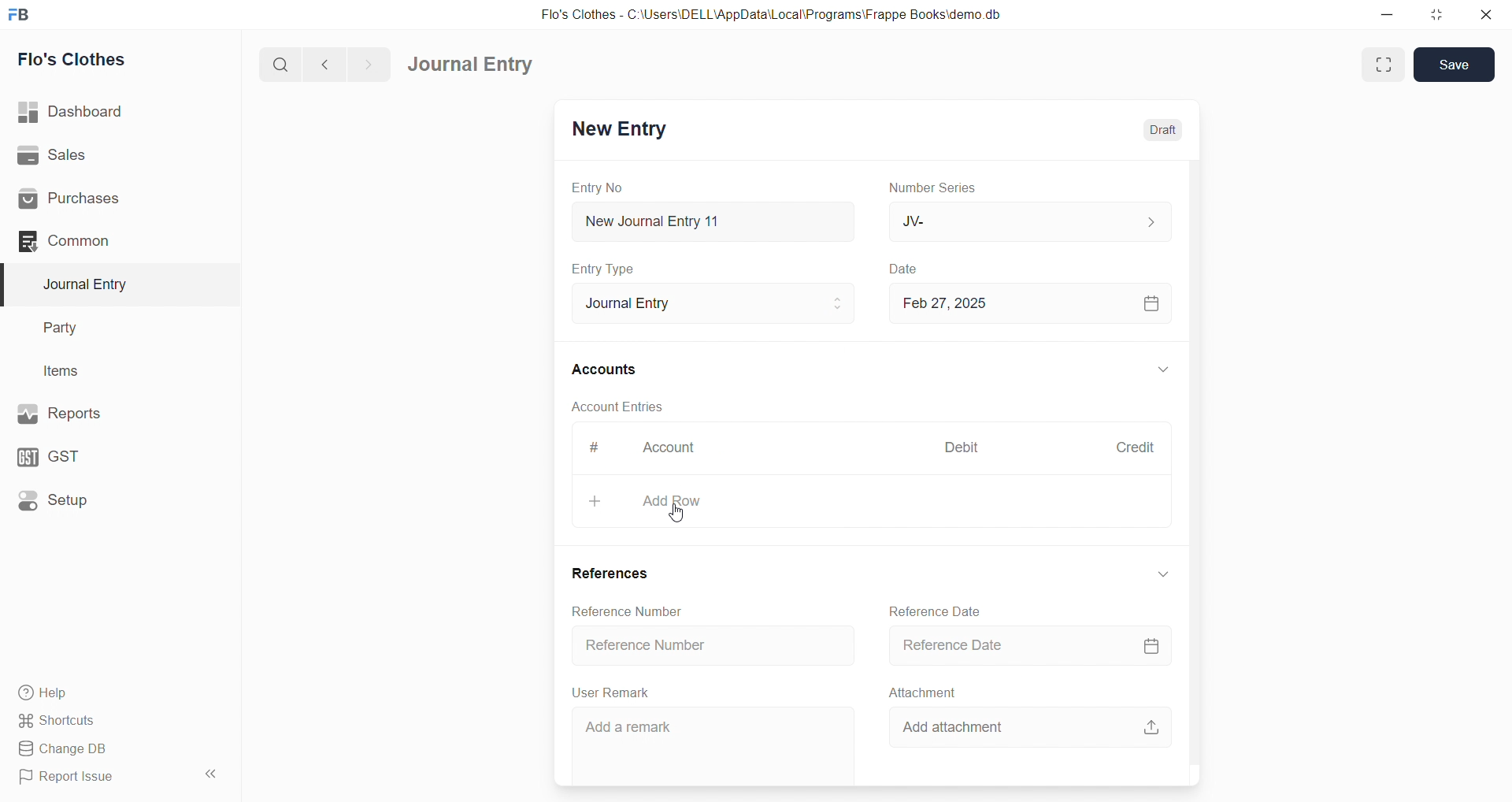 This screenshot has height=802, width=1512. What do you see at coordinates (471, 64) in the screenshot?
I see `Journal Entry` at bounding box center [471, 64].